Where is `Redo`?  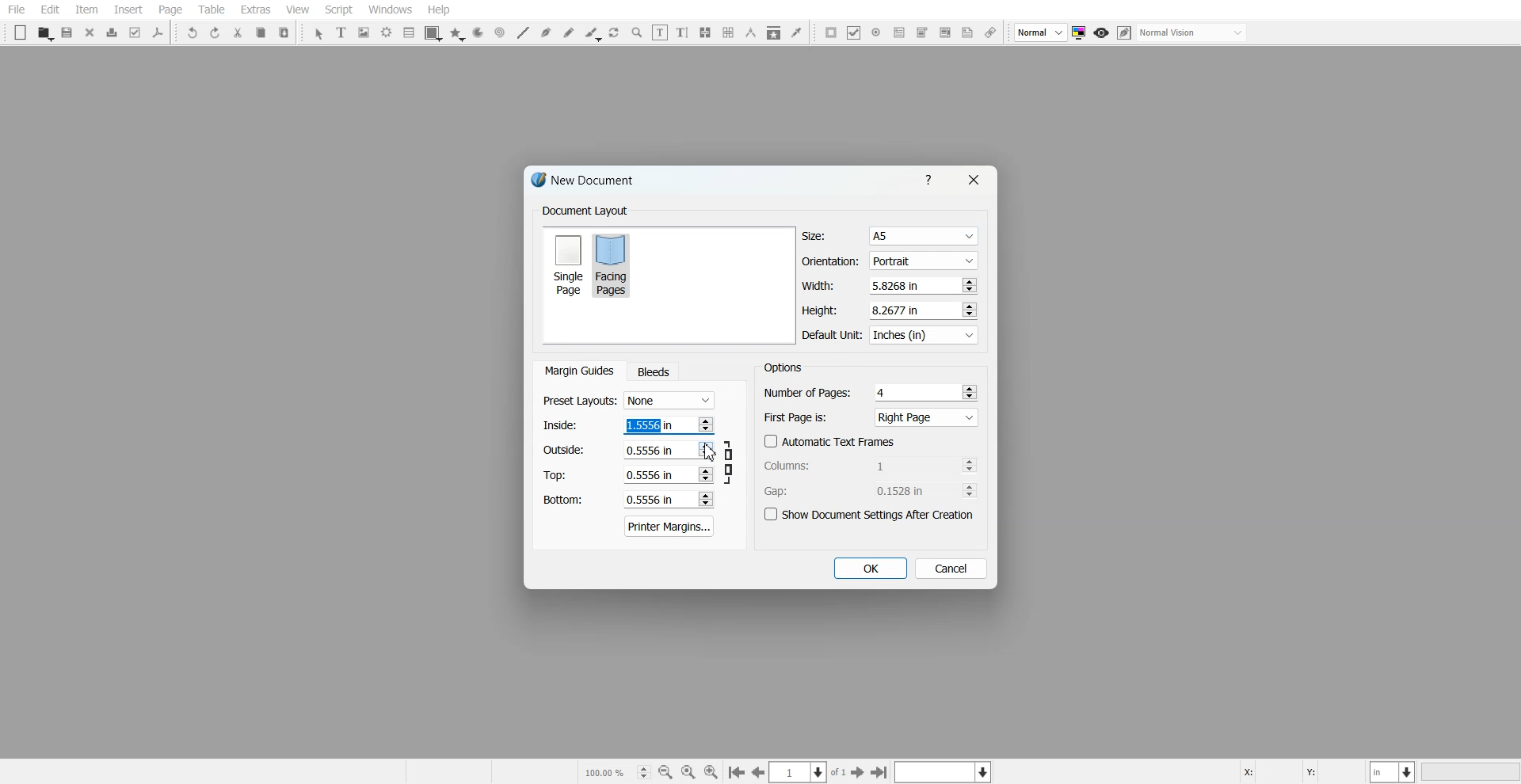
Redo is located at coordinates (215, 32).